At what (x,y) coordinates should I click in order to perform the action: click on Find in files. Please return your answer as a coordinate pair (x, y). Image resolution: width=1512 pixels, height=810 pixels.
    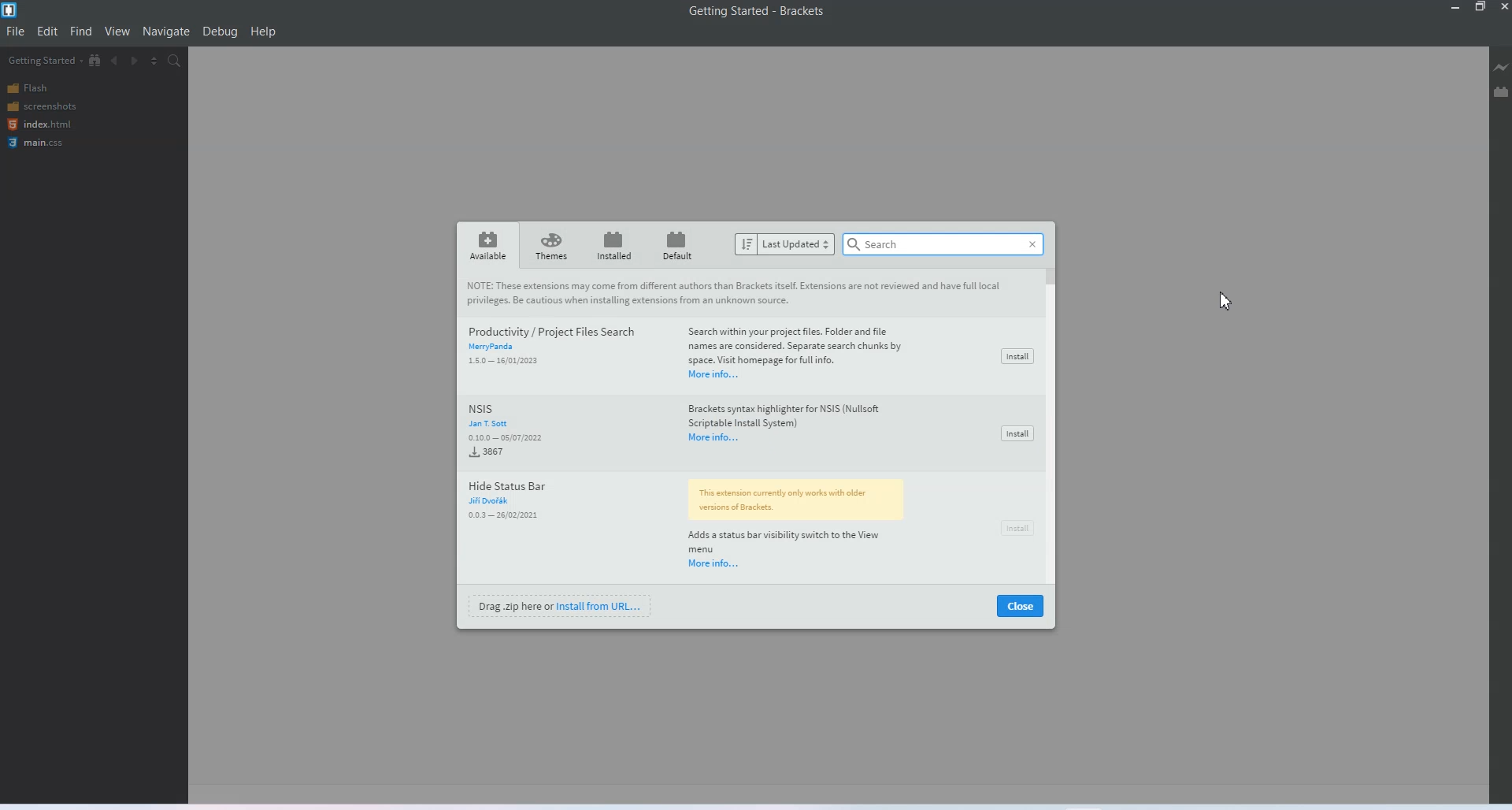
    Looking at the image, I should click on (175, 61).